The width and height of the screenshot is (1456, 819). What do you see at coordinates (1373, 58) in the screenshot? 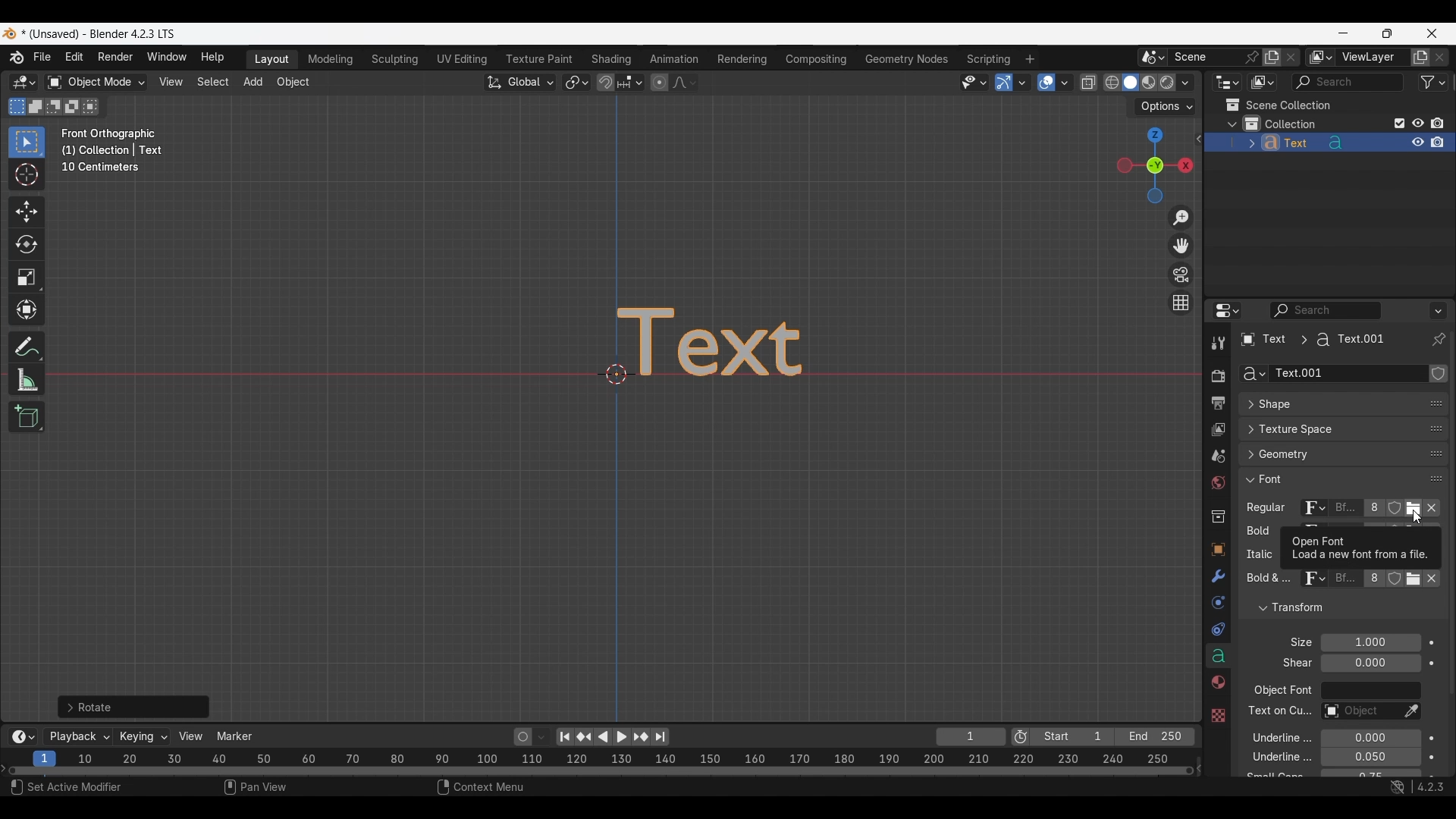
I see `Name view layer` at bounding box center [1373, 58].